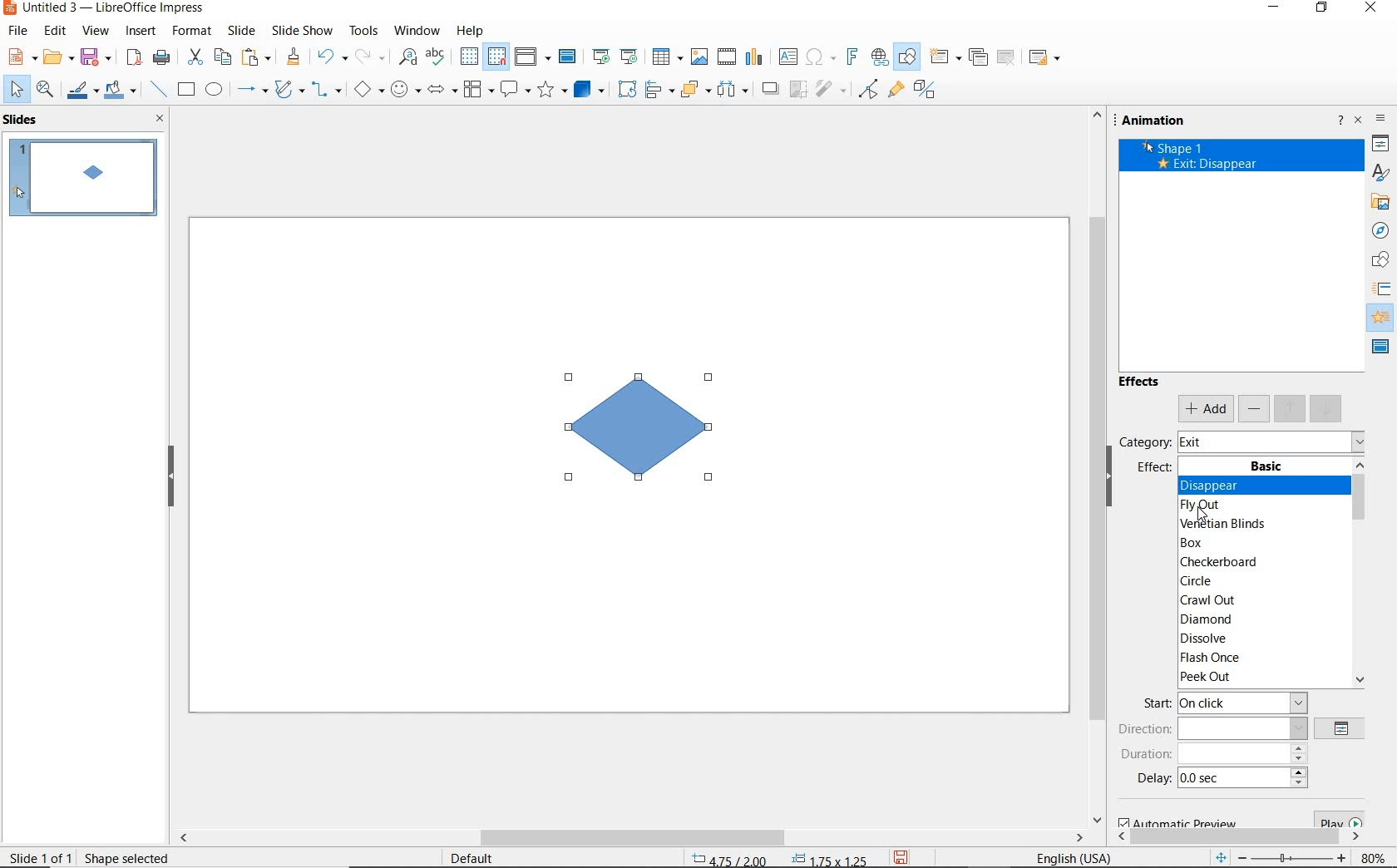  What do you see at coordinates (1258, 563) in the screenshot?
I see `checkerboard` at bounding box center [1258, 563].